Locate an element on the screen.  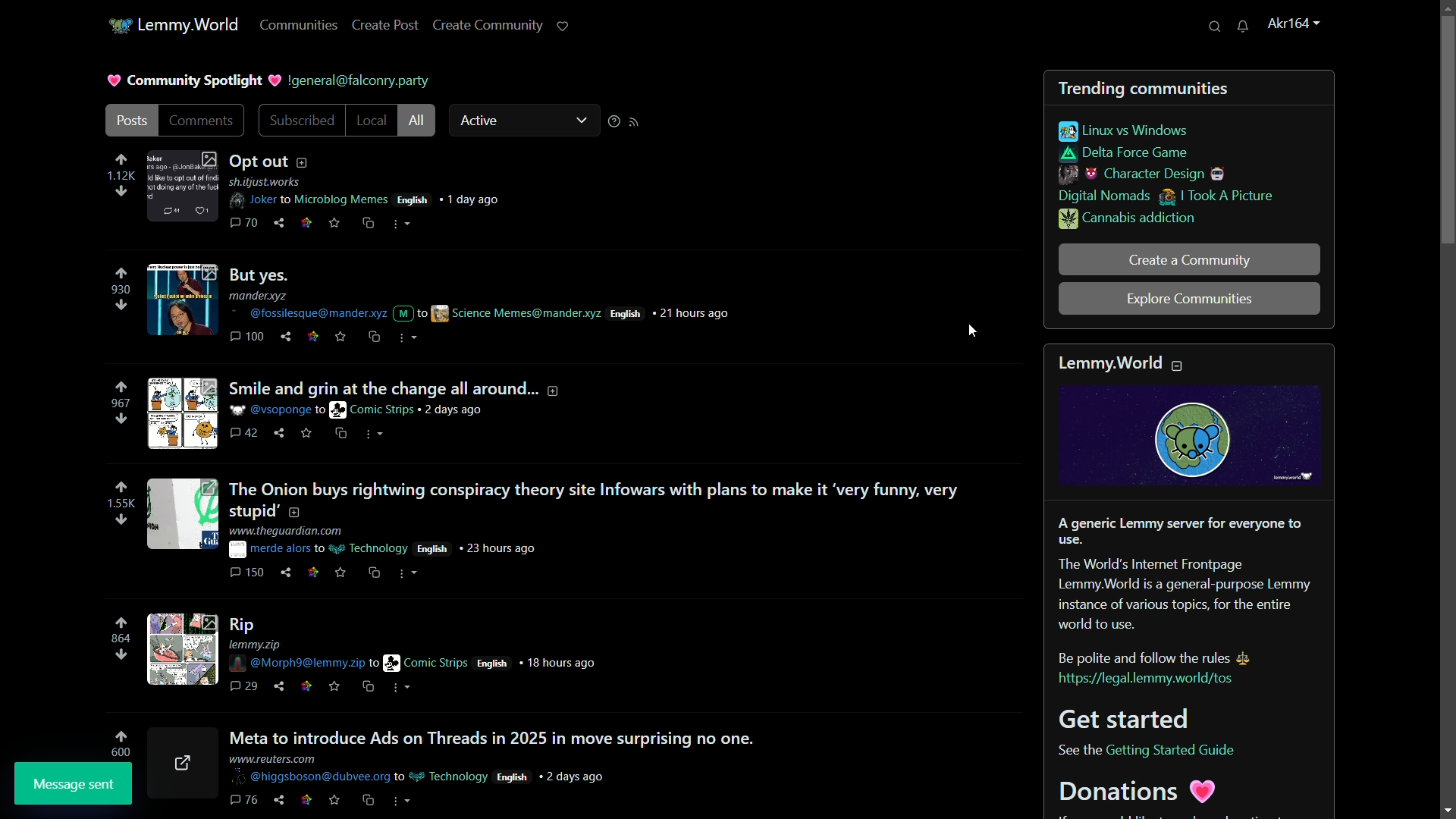
more is located at coordinates (404, 801).